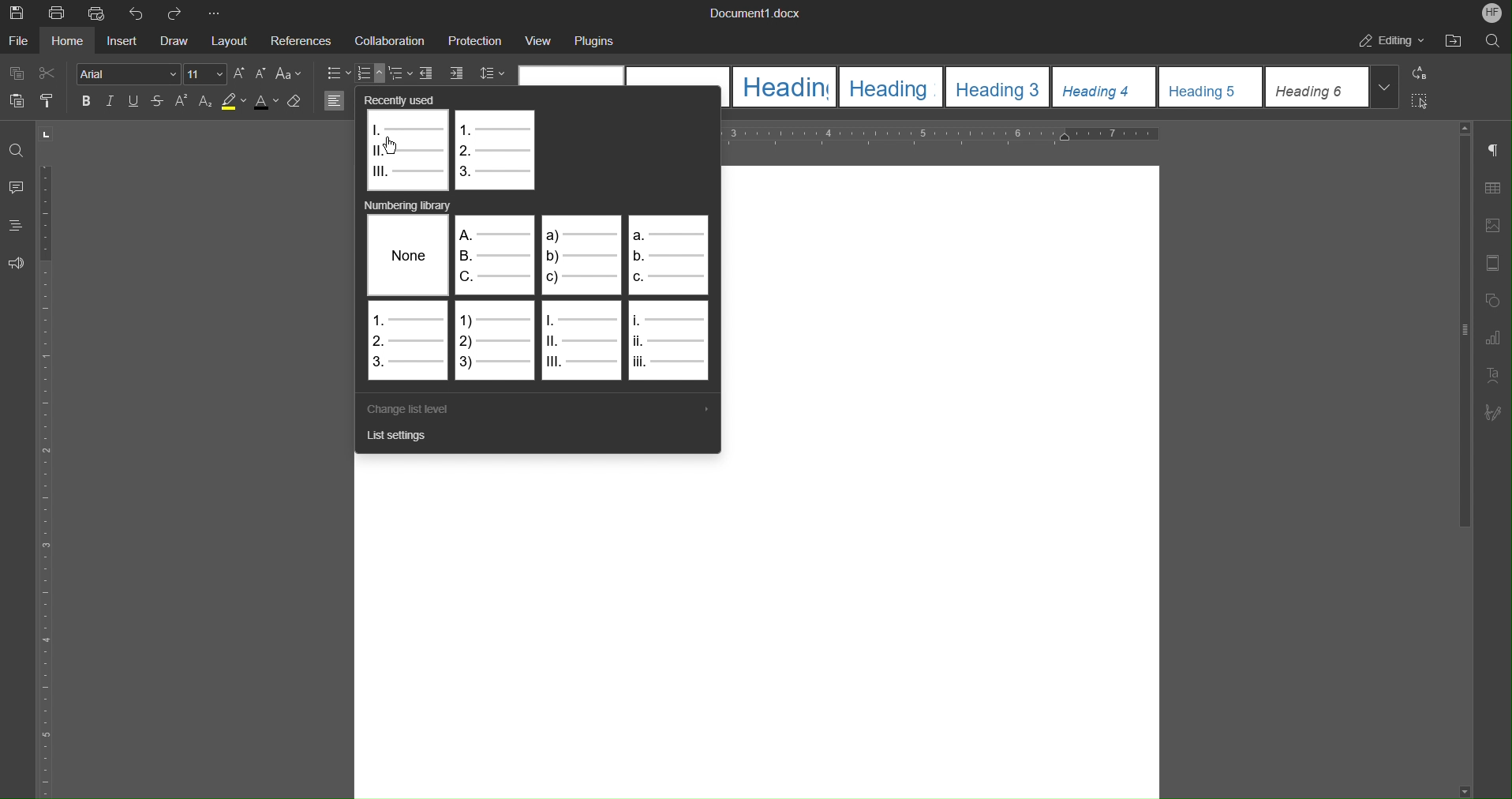  Describe the element at coordinates (297, 103) in the screenshot. I see `Erase Style` at that location.